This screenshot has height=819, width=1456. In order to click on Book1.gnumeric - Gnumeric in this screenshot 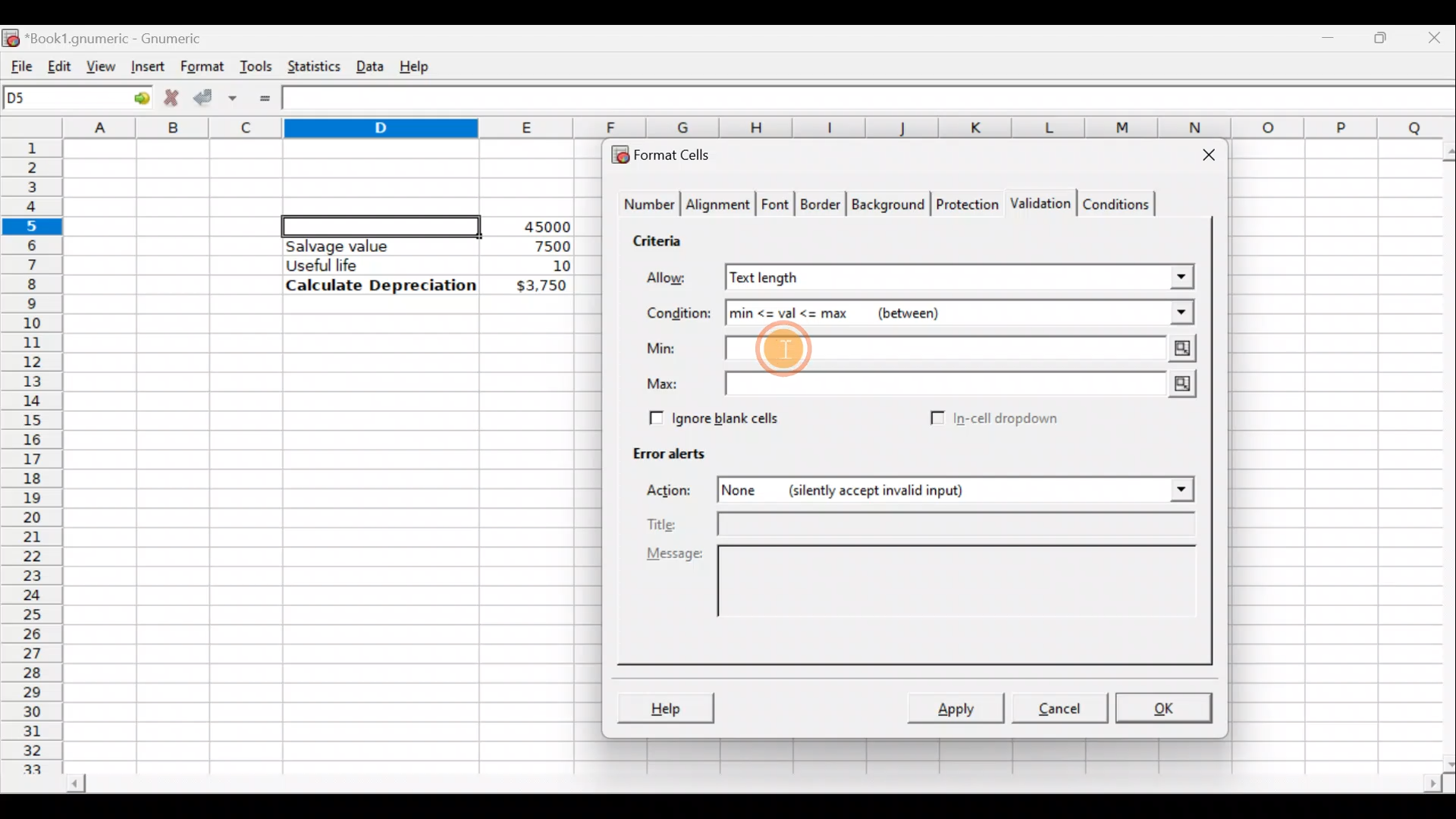, I will do `click(124, 37)`.